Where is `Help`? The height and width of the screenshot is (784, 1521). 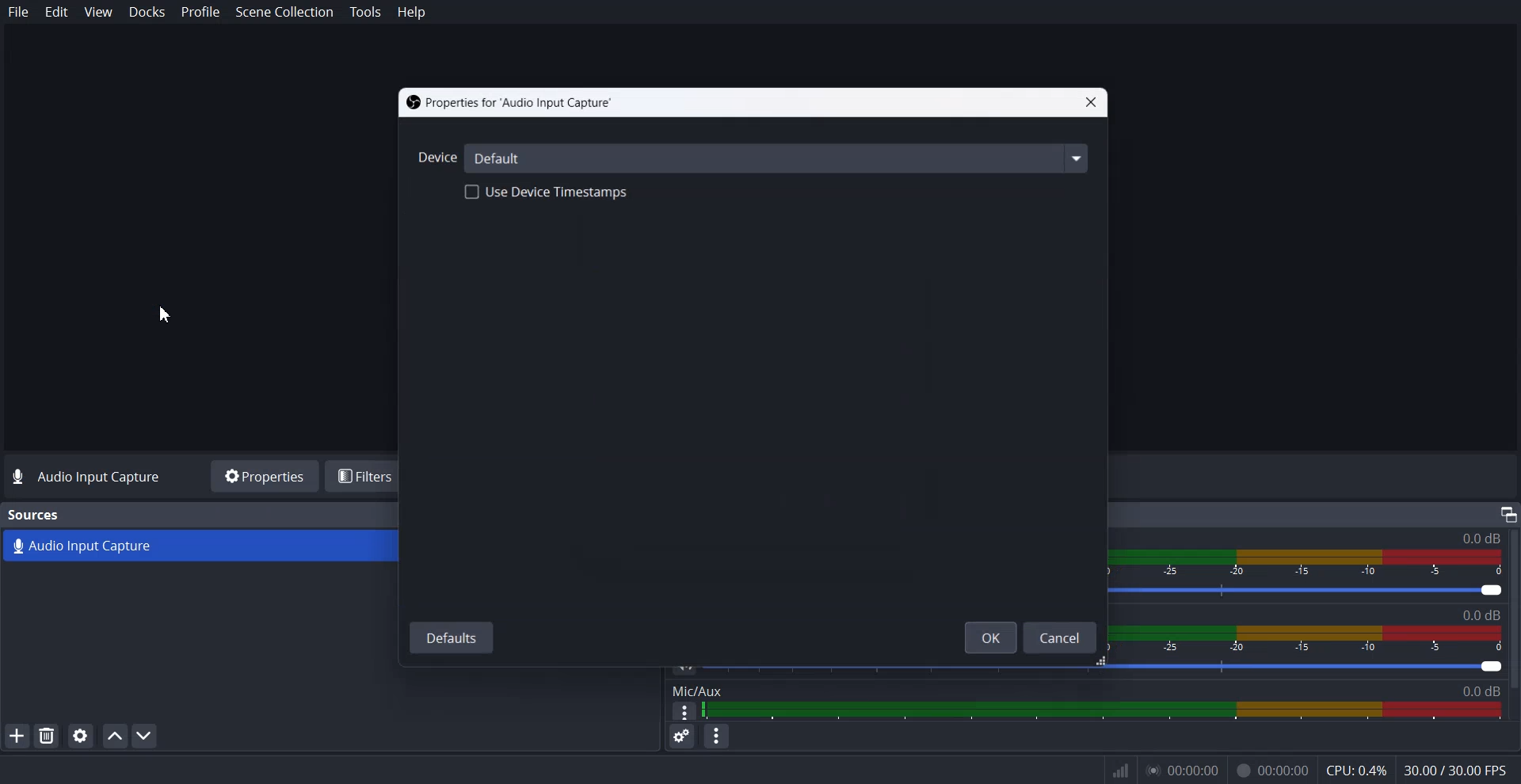 Help is located at coordinates (411, 12).